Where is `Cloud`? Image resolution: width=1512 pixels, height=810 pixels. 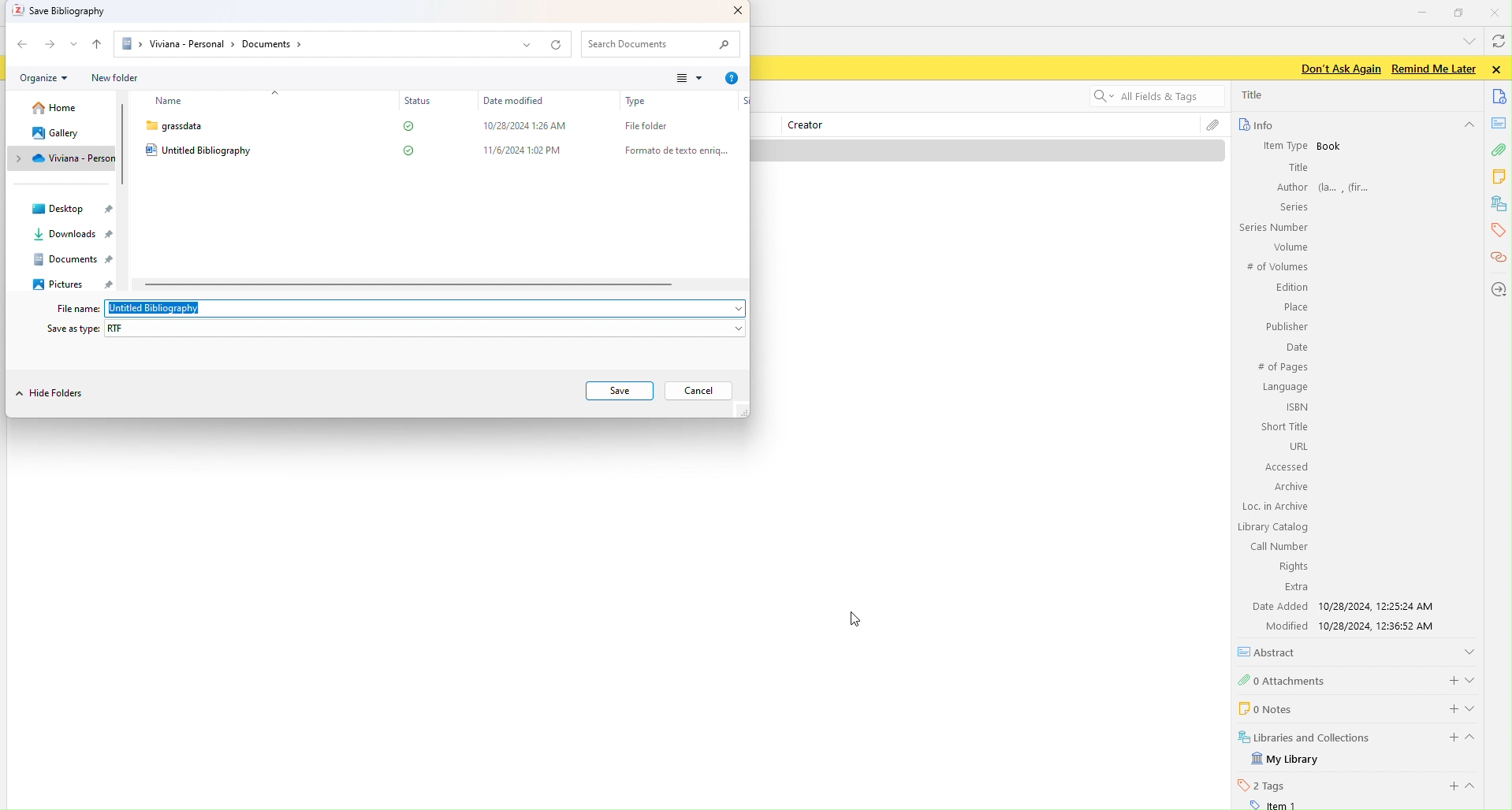 Cloud is located at coordinates (58, 159).